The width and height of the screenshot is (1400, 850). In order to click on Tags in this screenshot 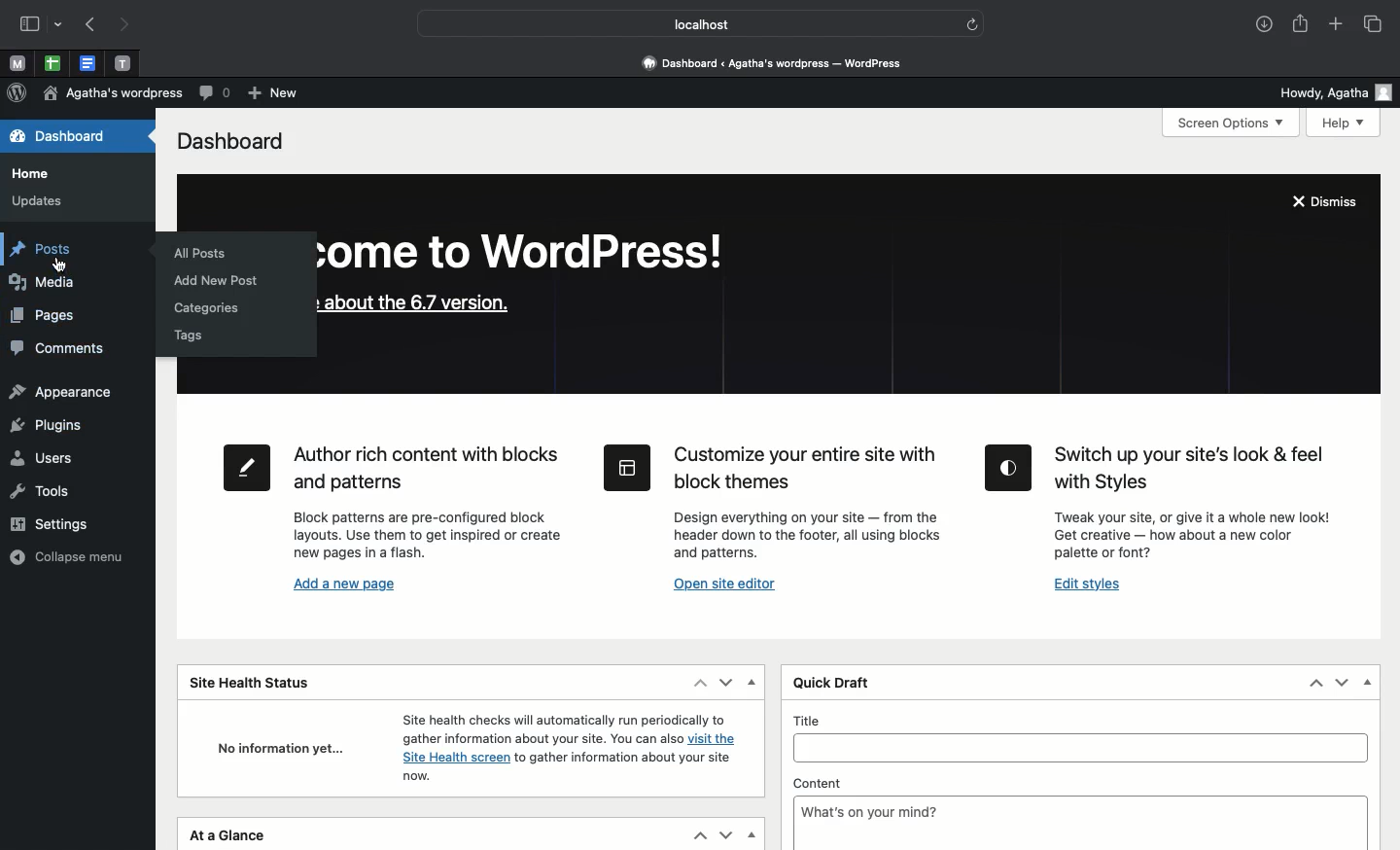, I will do `click(195, 336)`.